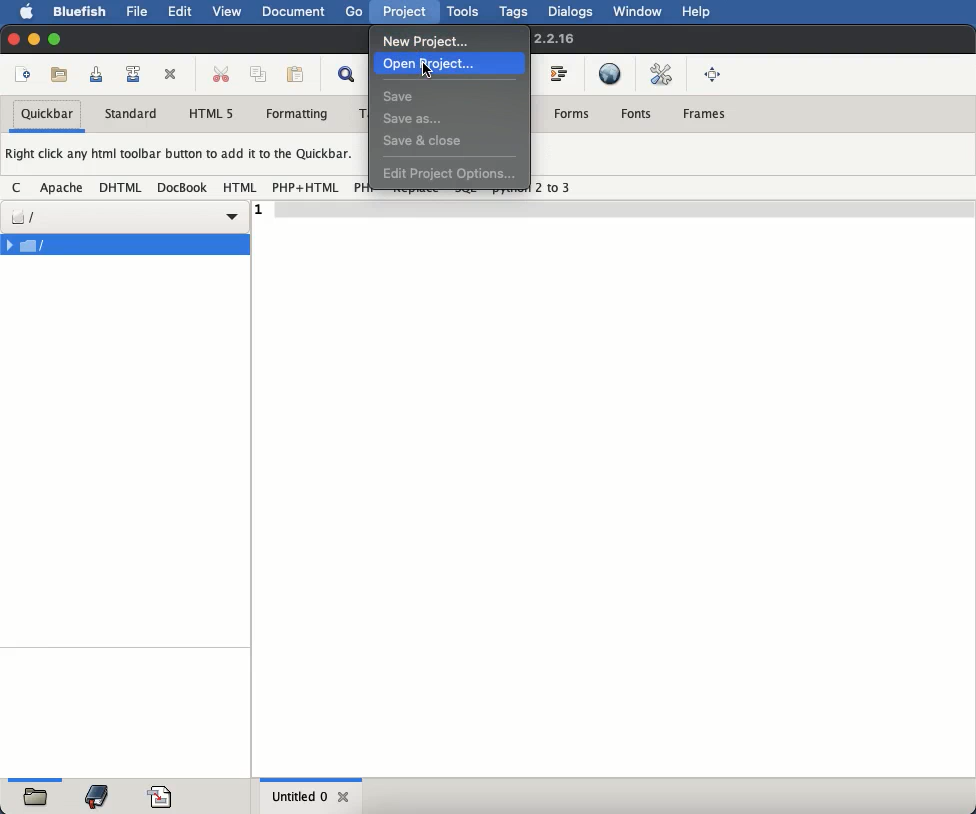  Describe the element at coordinates (183, 190) in the screenshot. I see `docbook` at that location.